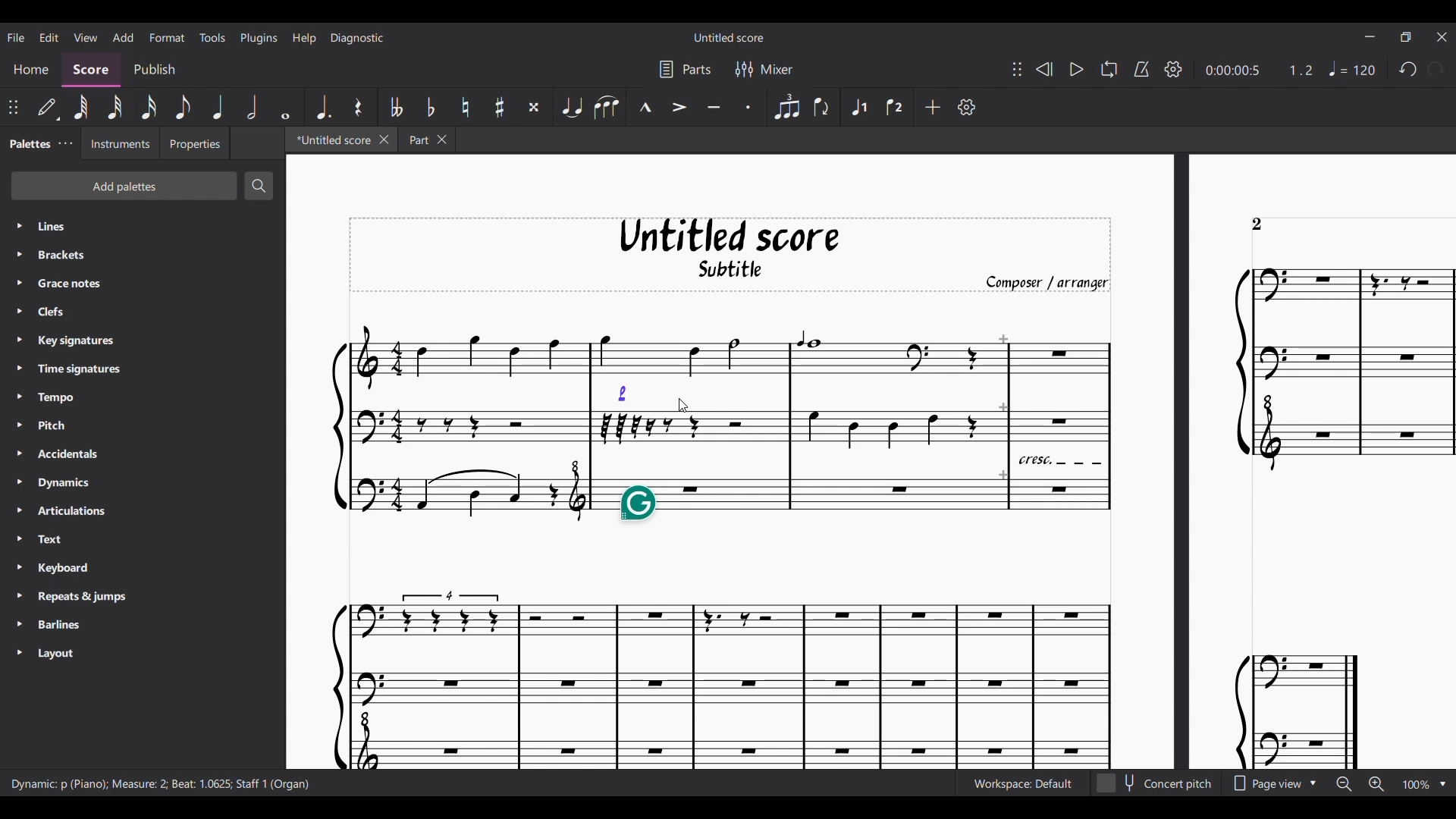 The width and height of the screenshot is (1456, 819). Describe the element at coordinates (1260, 70) in the screenshot. I see `Current duration and ratio` at that location.